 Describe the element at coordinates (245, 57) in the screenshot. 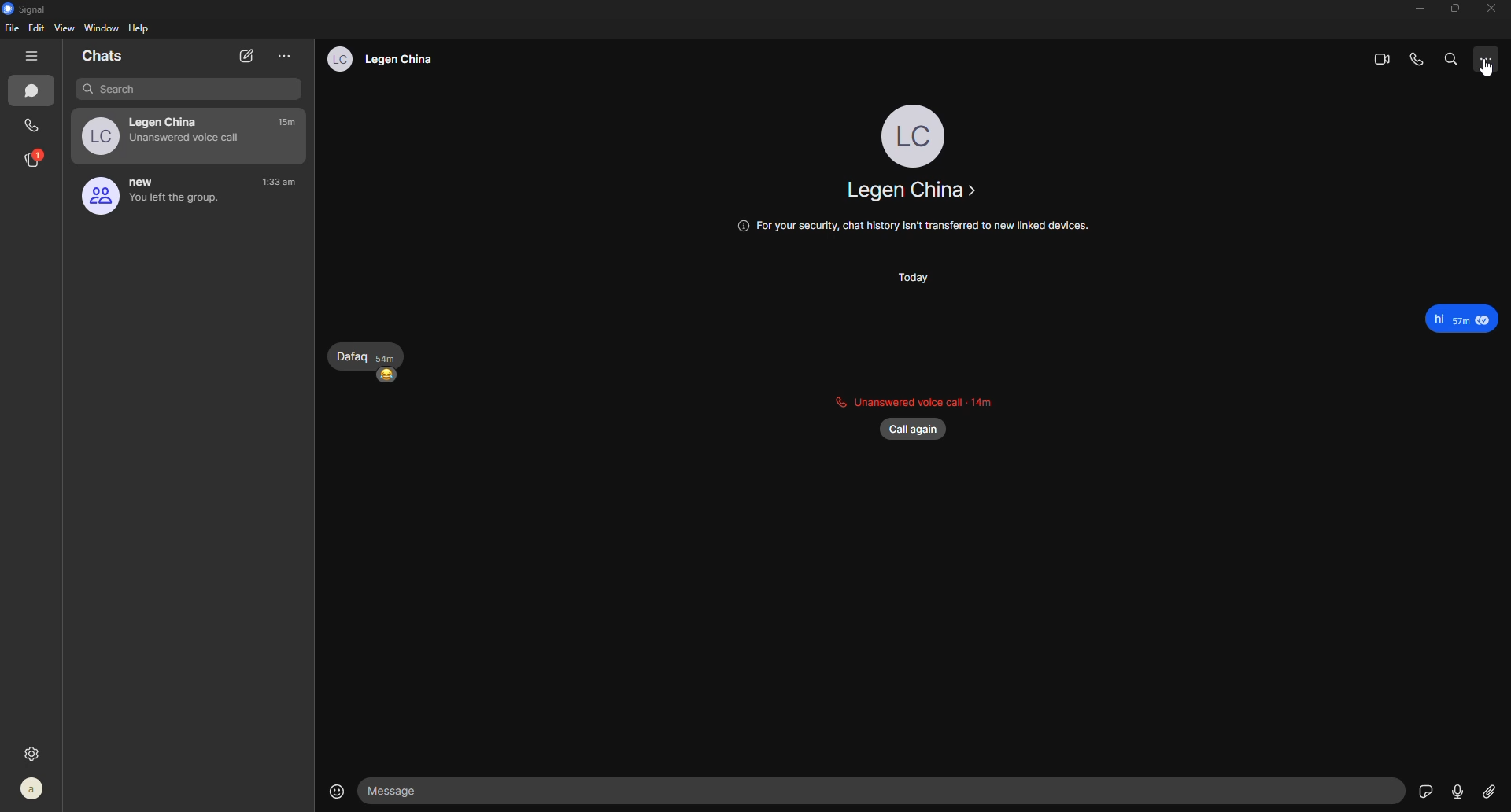

I see `new chat` at that location.